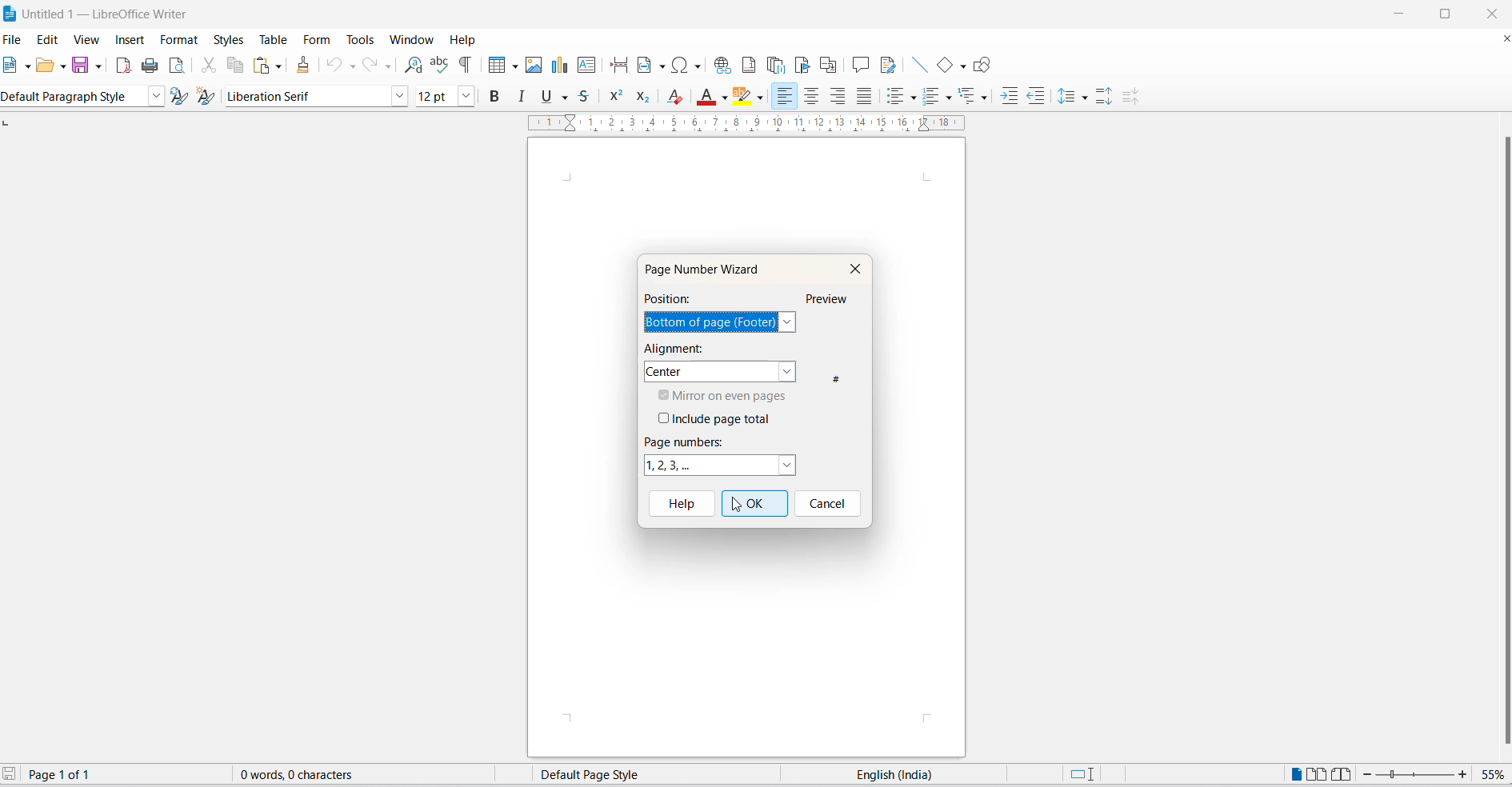 The width and height of the screenshot is (1512, 787). Describe the element at coordinates (726, 98) in the screenshot. I see `fill color options` at that location.